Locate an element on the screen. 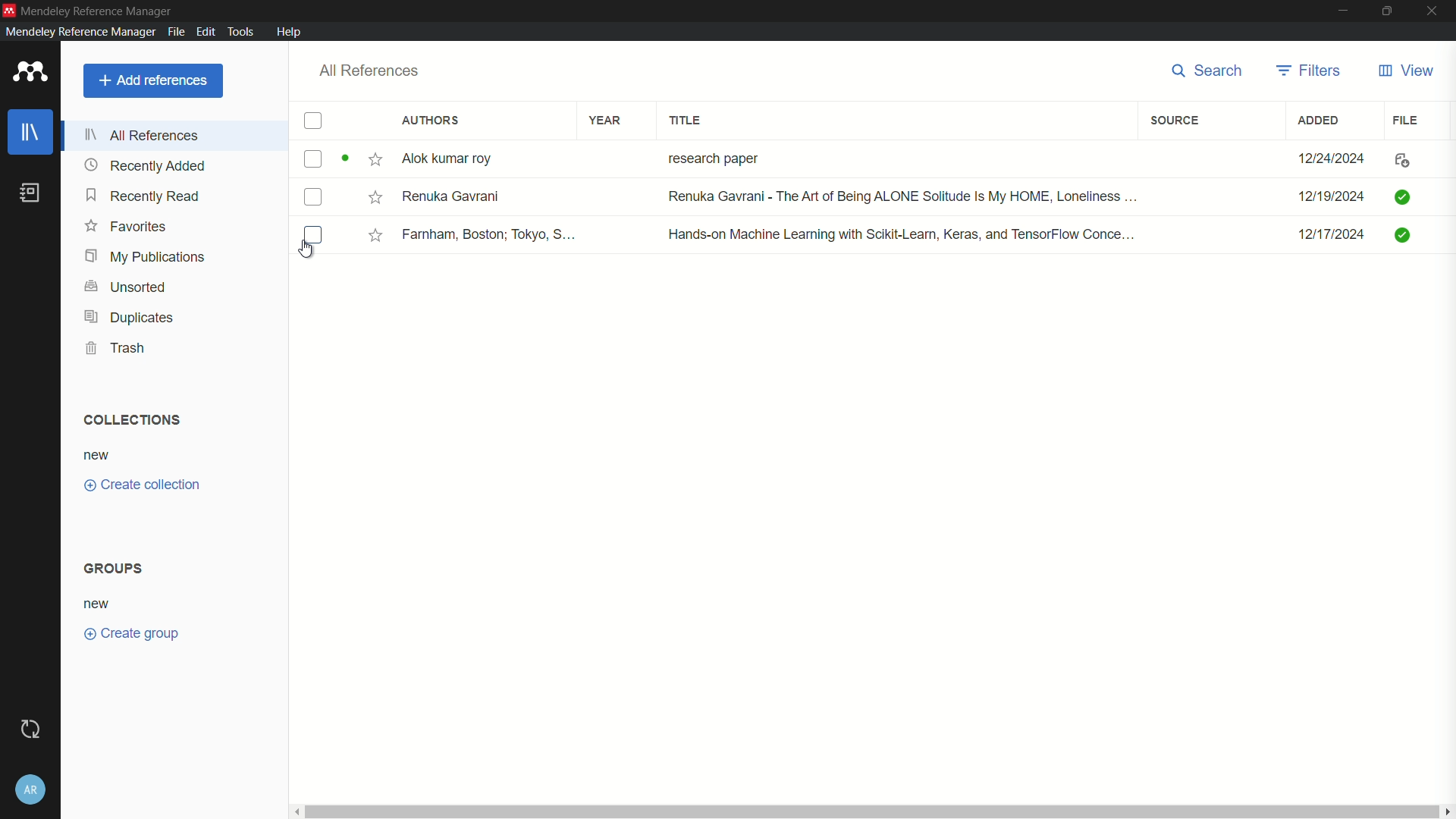 This screenshot has height=819, width=1456. Famham, Boston; Tokyo S... is located at coordinates (492, 234).